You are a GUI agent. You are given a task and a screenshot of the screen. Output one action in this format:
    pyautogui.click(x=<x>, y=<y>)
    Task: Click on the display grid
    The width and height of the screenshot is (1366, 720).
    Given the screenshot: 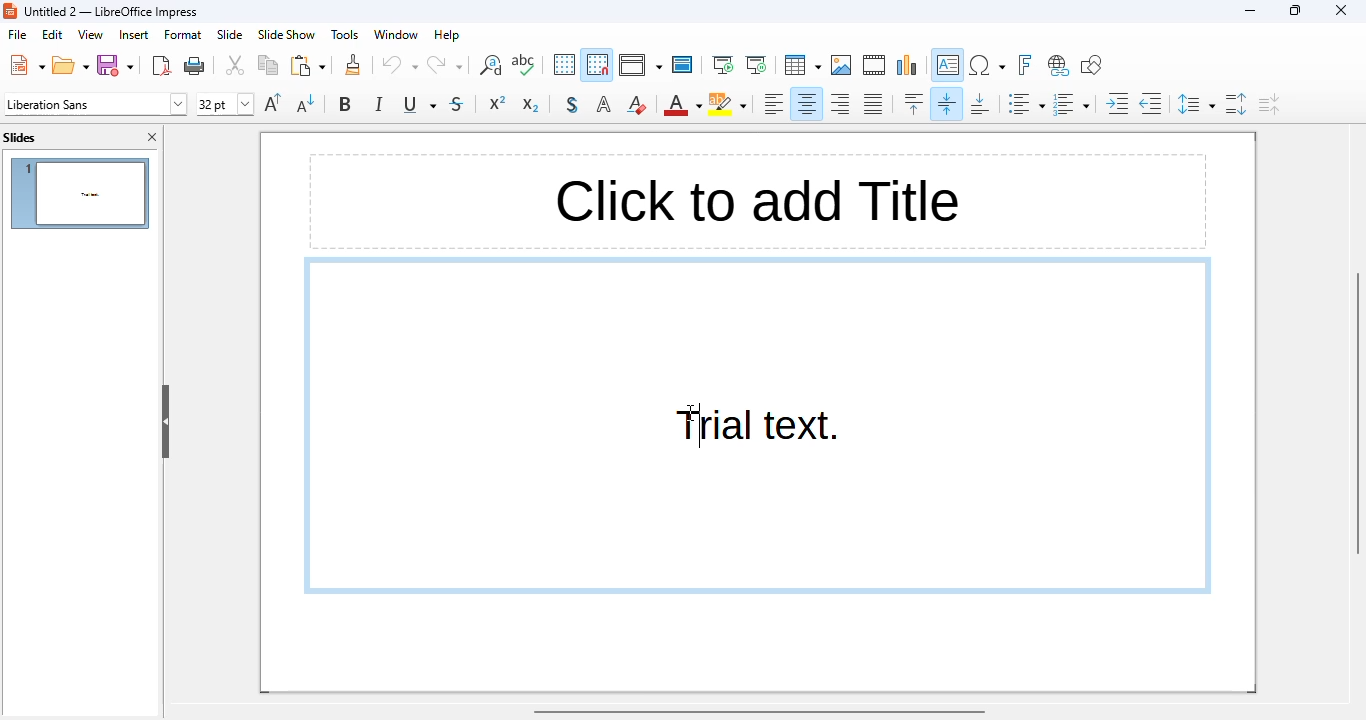 What is the action you would take?
    pyautogui.click(x=563, y=65)
    